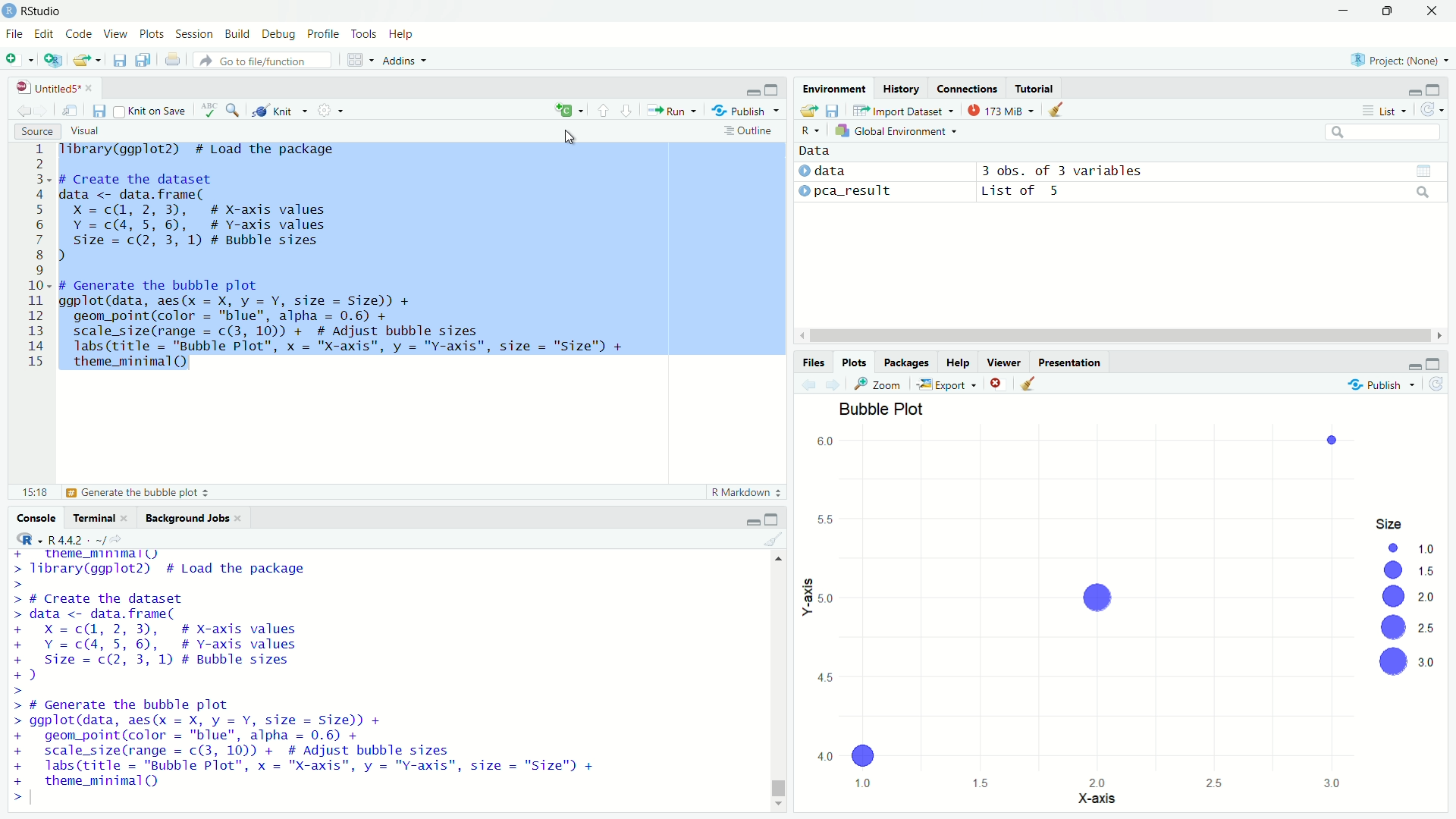 The width and height of the screenshot is (1456, 819). I want to click on data, so click(816, 151).